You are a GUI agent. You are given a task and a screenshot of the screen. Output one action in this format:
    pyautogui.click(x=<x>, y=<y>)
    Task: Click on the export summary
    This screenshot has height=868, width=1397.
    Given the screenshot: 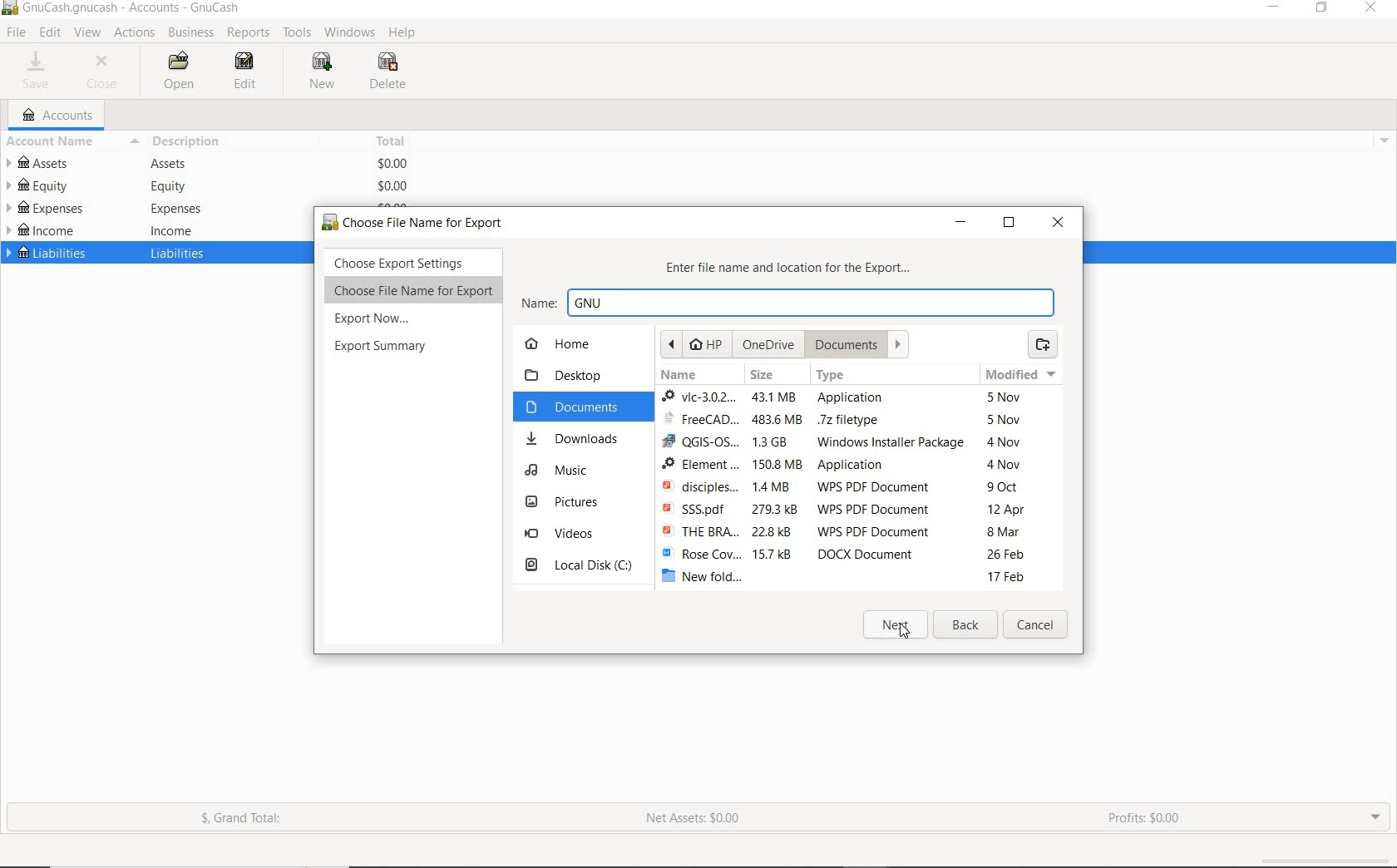 What is the action you would take?
    pyautogui.click(x=381, y=348)
    